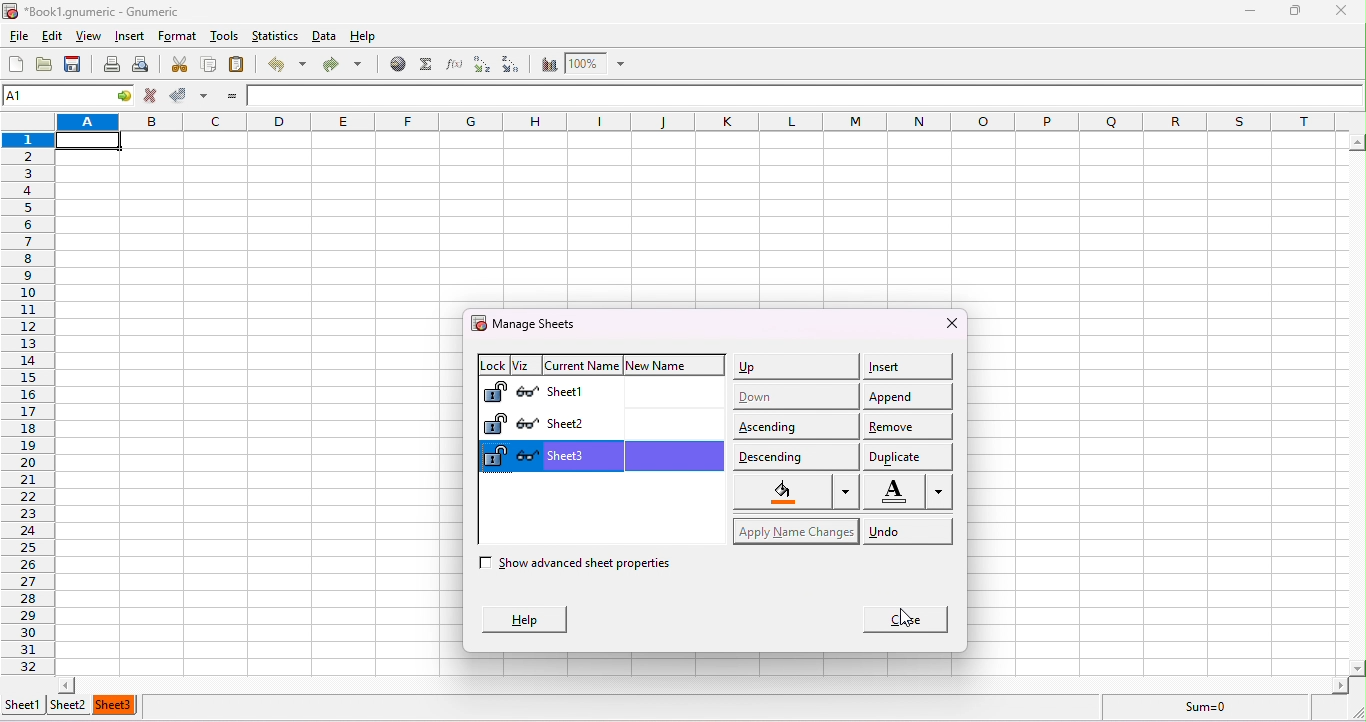 The height and width of the screenshot is (722, 1366). What do you see at coordinates (87, 36) in the screenshot?
I see `view` at bounding box center [87, 36].